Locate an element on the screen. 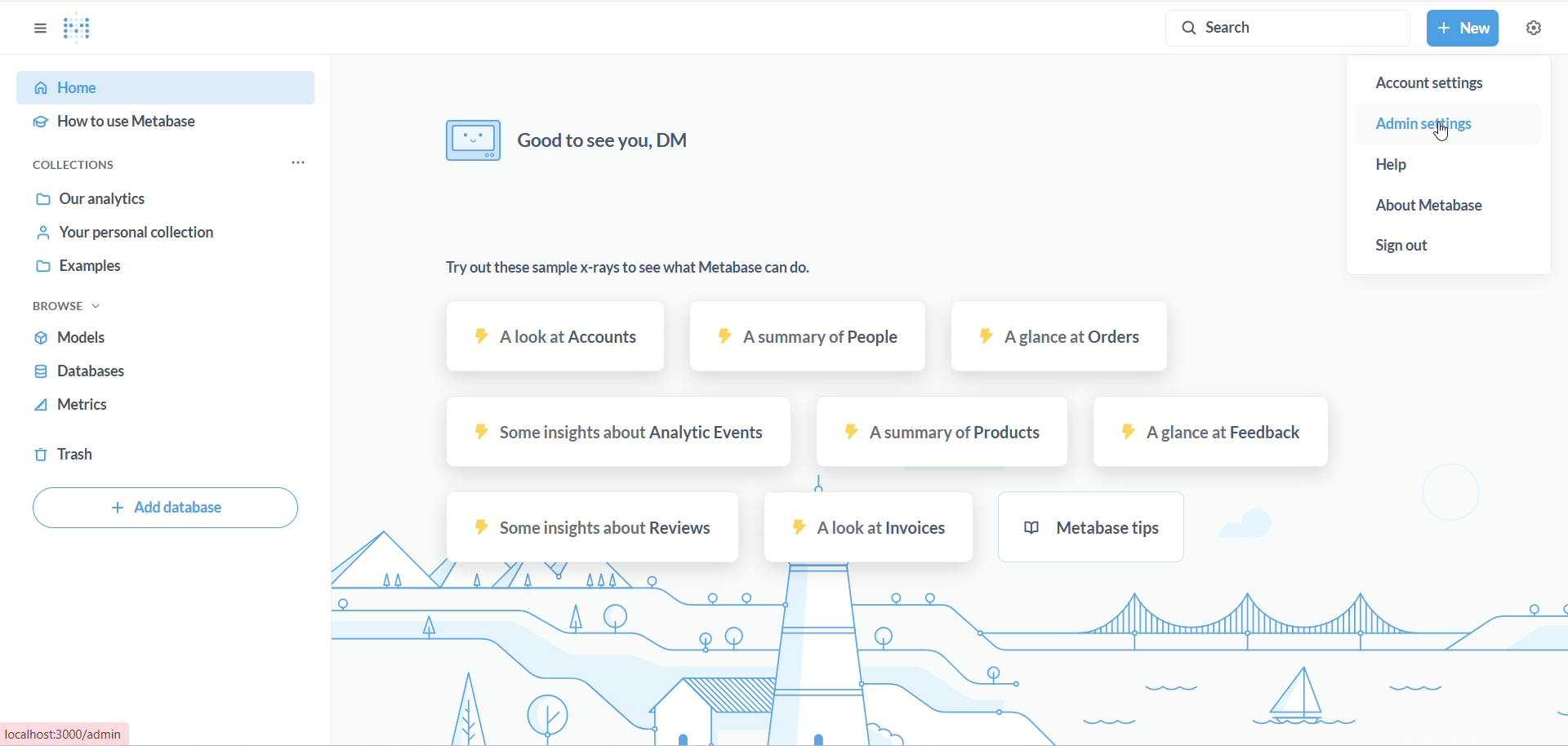 The width and height of the screenshot is (1568, 746). help is located at coordinates (1404, 166).